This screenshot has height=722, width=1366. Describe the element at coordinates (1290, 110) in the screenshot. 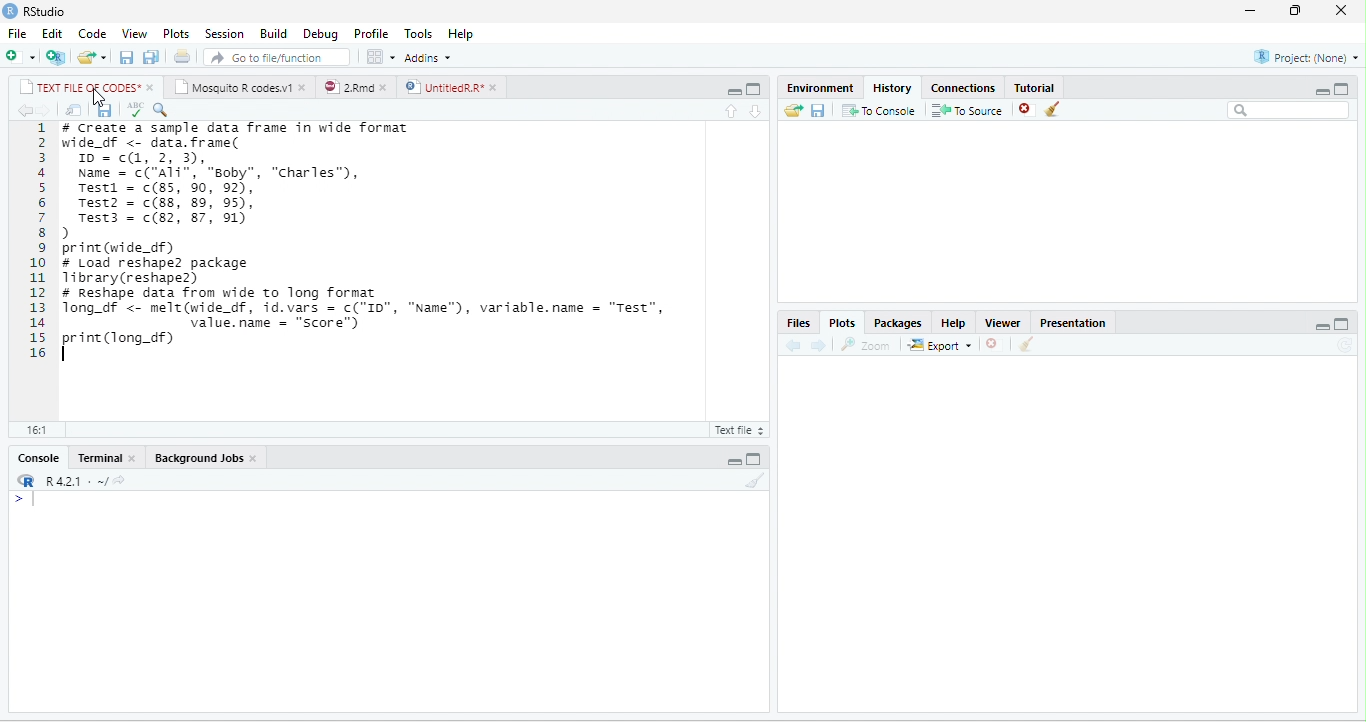

I see `search bar` at that location.